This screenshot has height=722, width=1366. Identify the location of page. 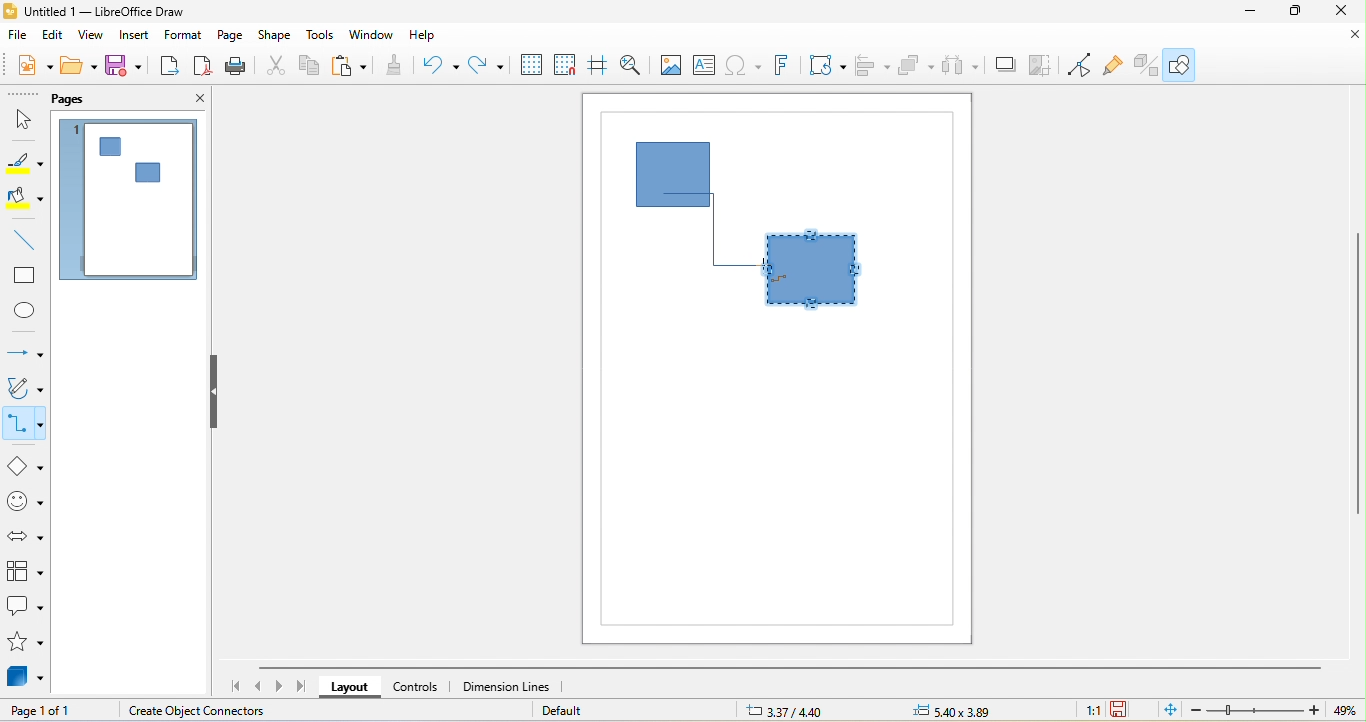
(230, 36).